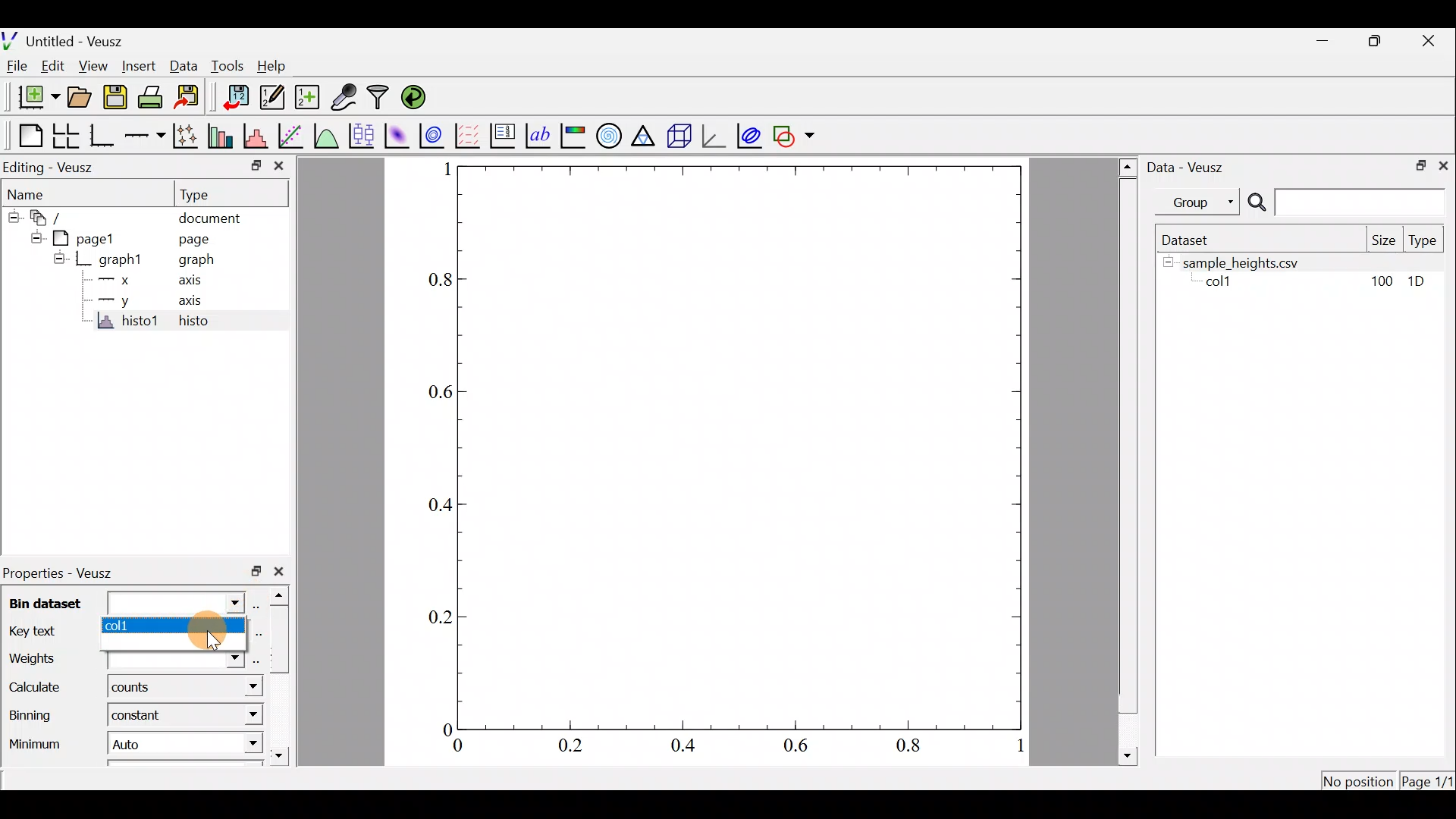  Describe the element at coordinates (438, 505) in the screenshot. I see `0.4` at that location.